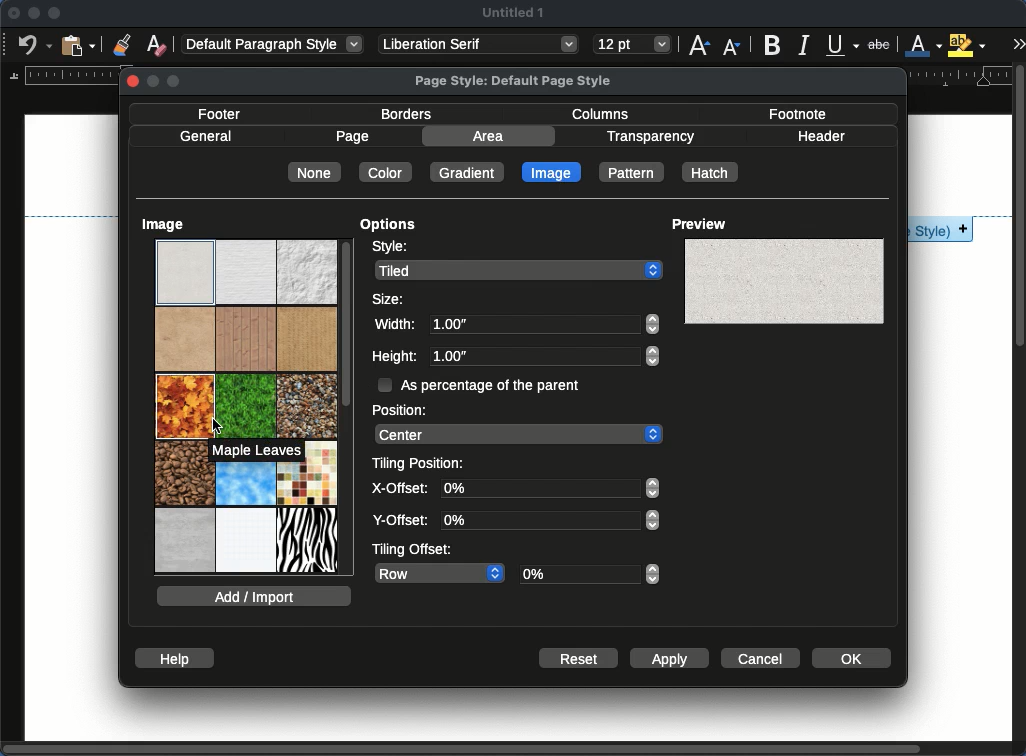 This screenshot has width=1026, height=756. Describe the element at coordinates (702, 224) in the screenshot. I see `preview` at that location.